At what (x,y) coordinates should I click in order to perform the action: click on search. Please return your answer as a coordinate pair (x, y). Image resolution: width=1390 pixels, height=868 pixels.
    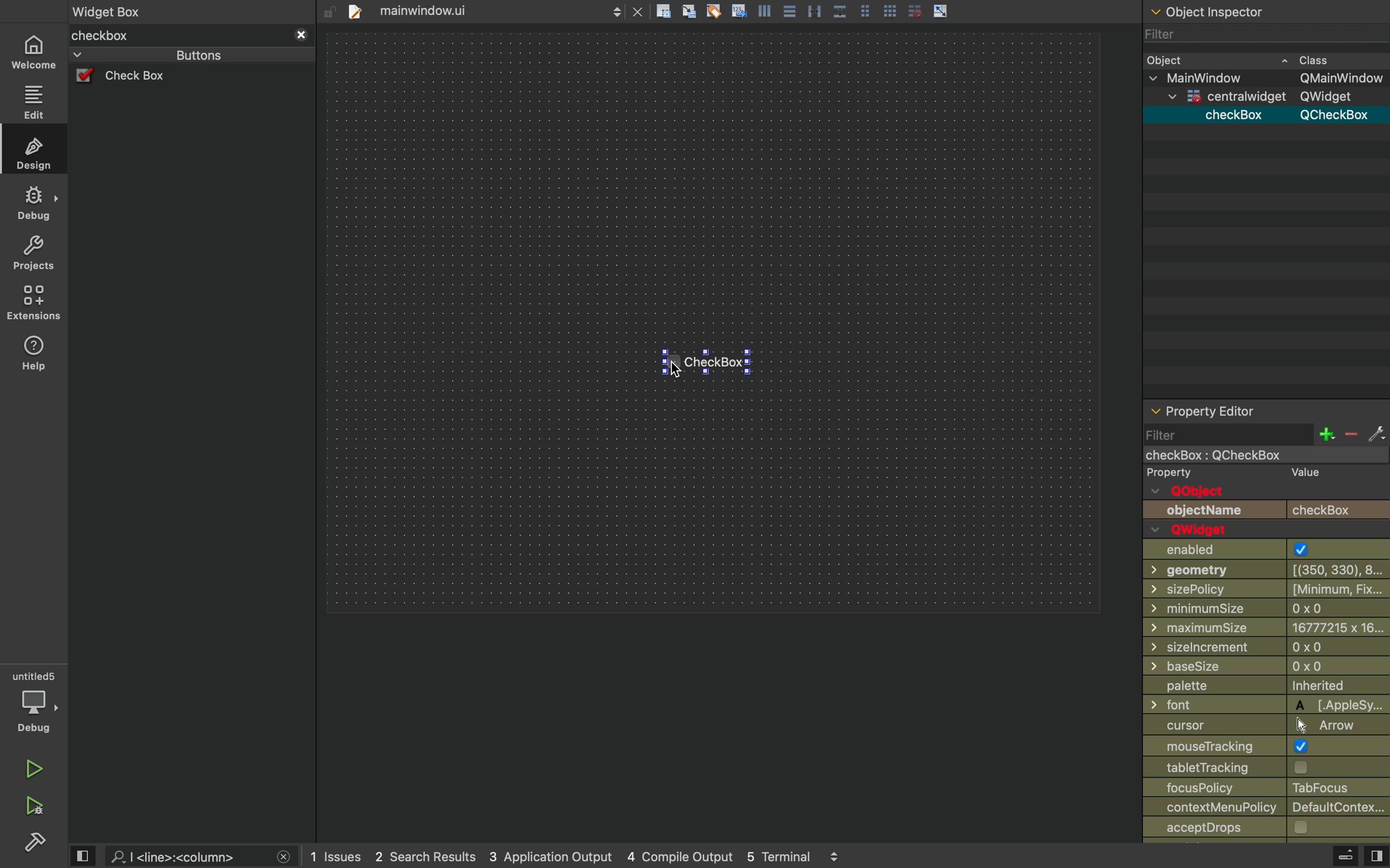
    Looking at the image, I should click on (184, 857).